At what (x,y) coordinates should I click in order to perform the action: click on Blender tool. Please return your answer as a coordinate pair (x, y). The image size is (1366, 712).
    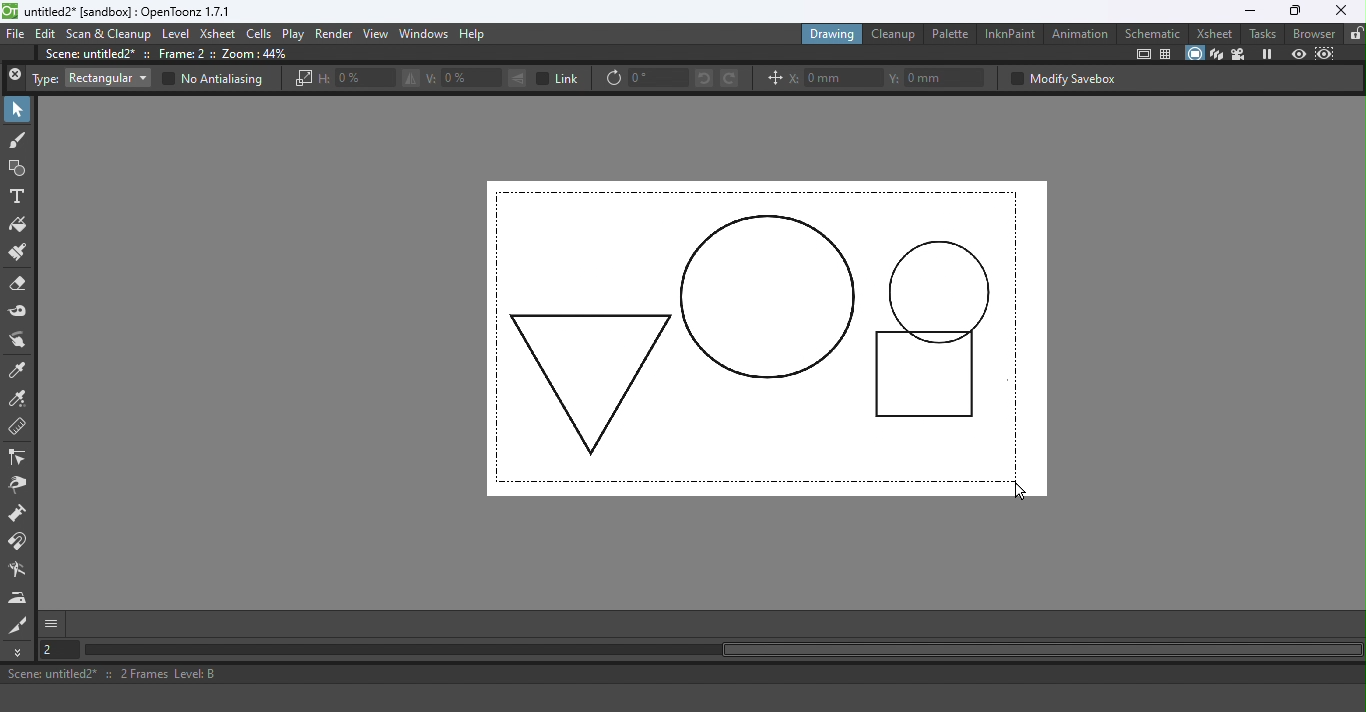
    Looking at the image, I should click on (20, 570).